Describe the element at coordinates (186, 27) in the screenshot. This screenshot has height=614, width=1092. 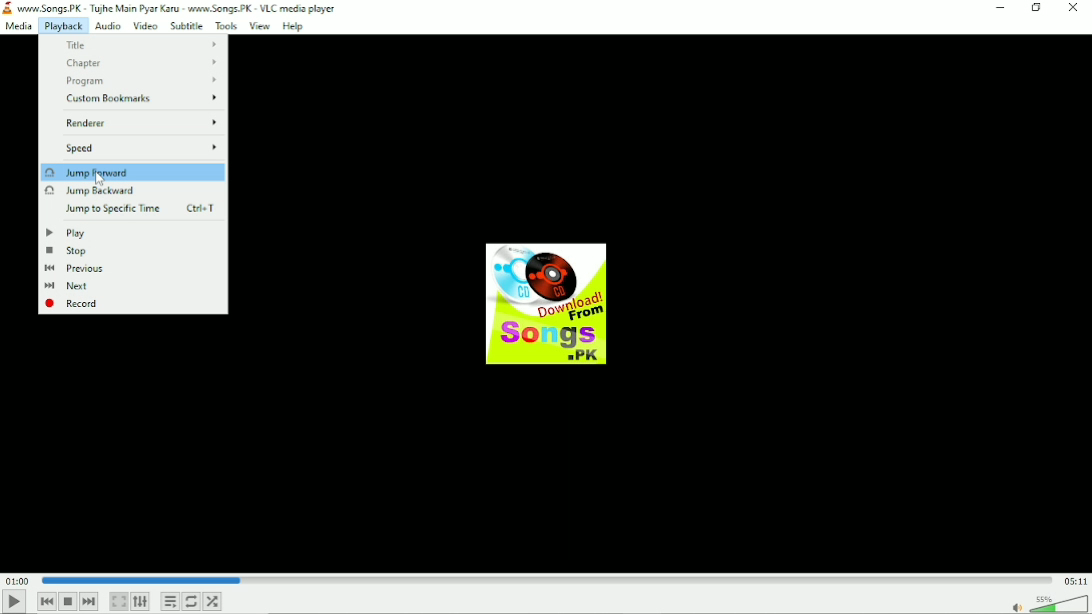
I see `Subtitle` at that location.